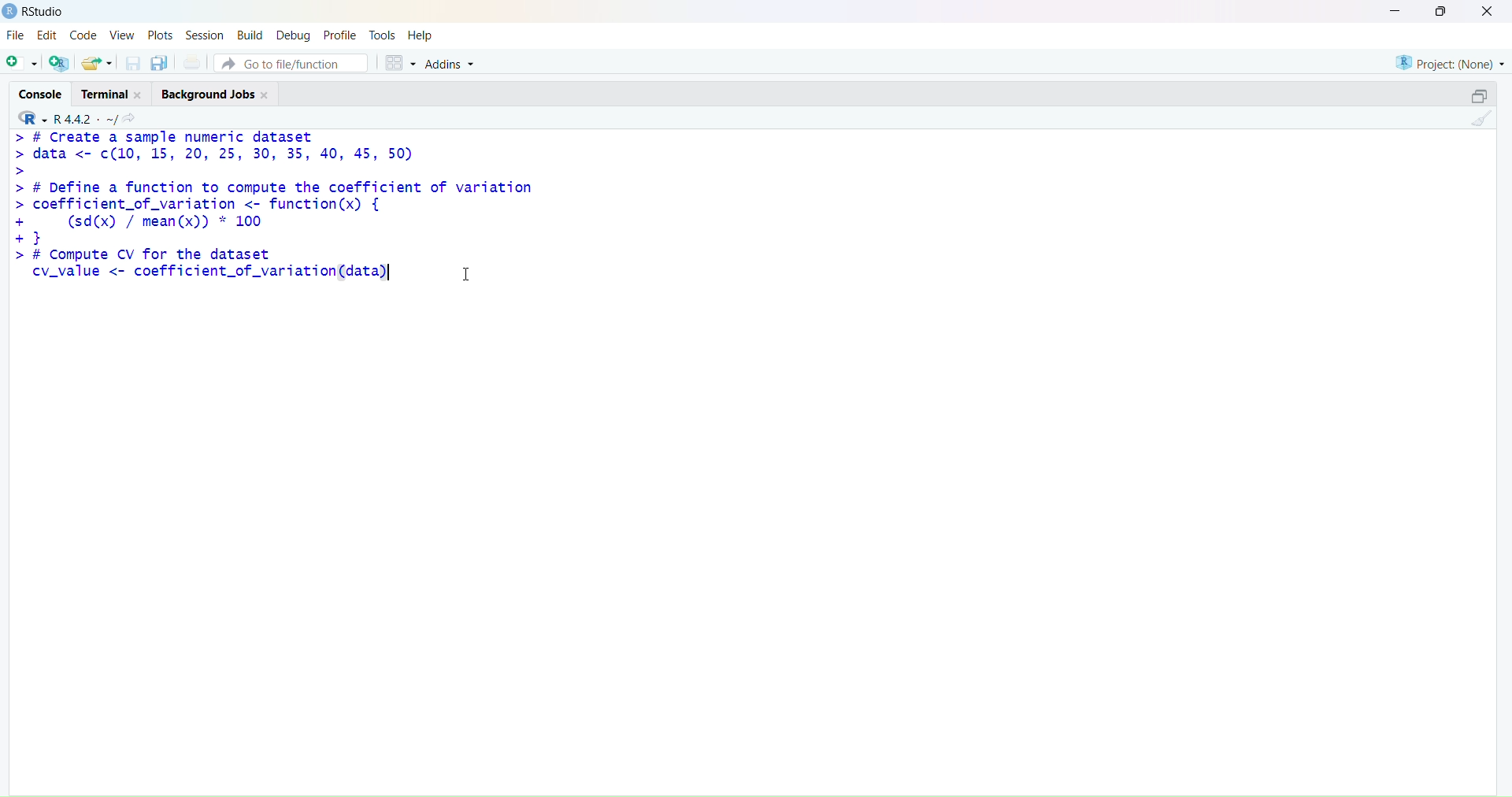 Image resolution: width=1512 pixels, height=797 pixels. I want to click on R 4.4.2 ~/, so click(85, 119).